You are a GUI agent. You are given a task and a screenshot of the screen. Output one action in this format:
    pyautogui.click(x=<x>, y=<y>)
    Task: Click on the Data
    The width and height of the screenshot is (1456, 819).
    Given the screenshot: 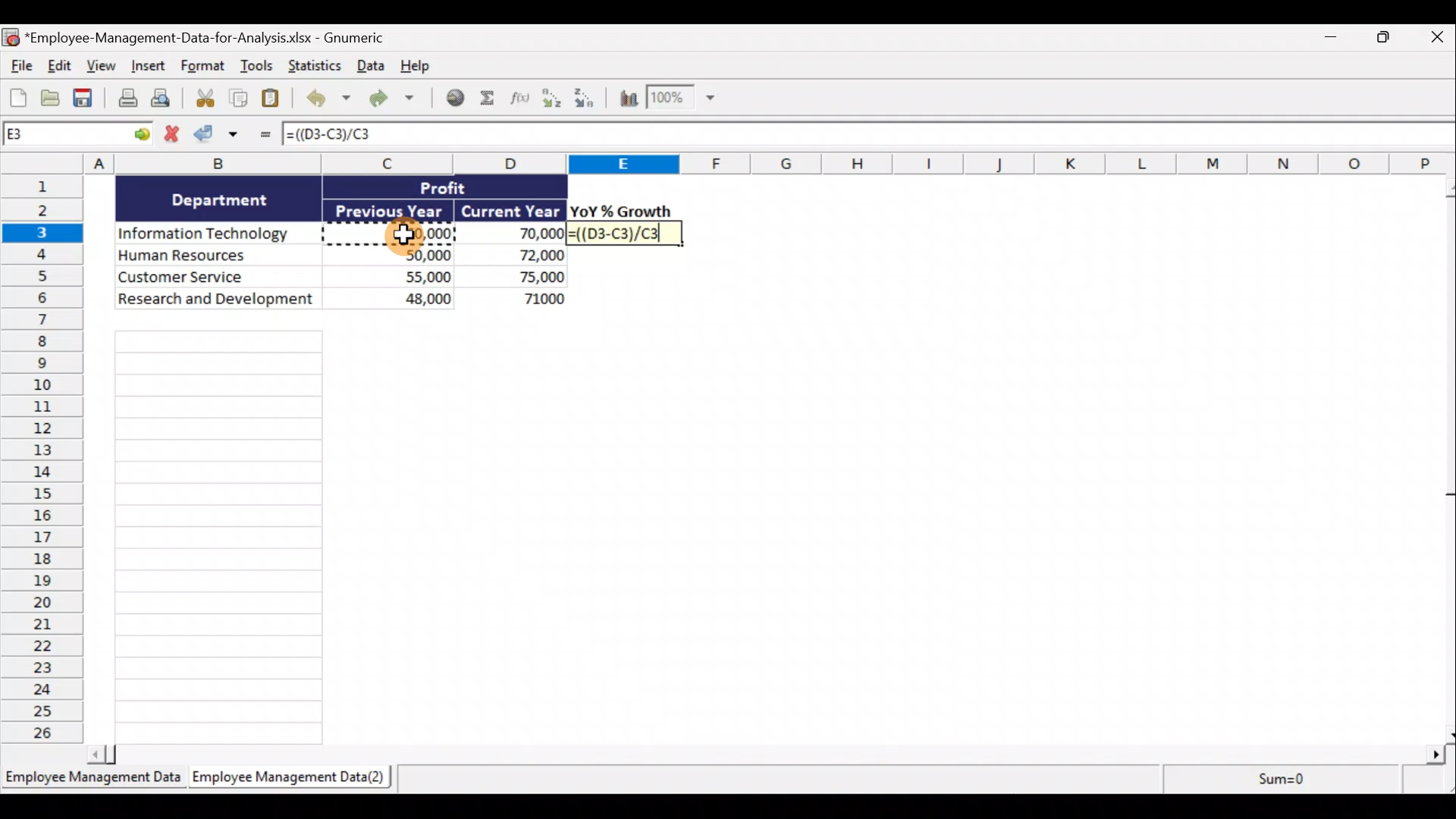 What is the action you would take?
    pyautogui.click(x=342, y=242)
    